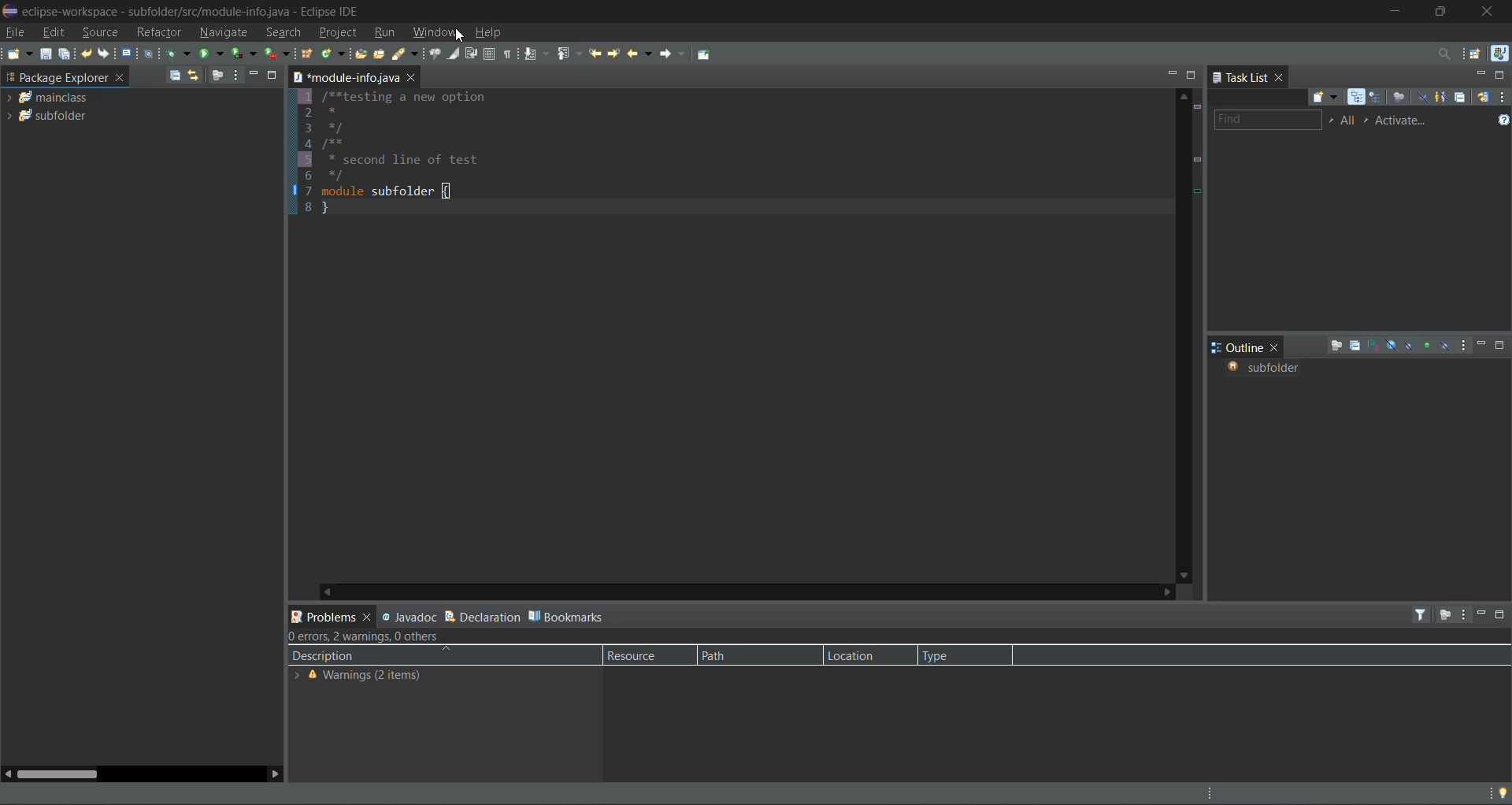 The image size is (1512, 805). I want to click on bookmarks, so click(569, 618).